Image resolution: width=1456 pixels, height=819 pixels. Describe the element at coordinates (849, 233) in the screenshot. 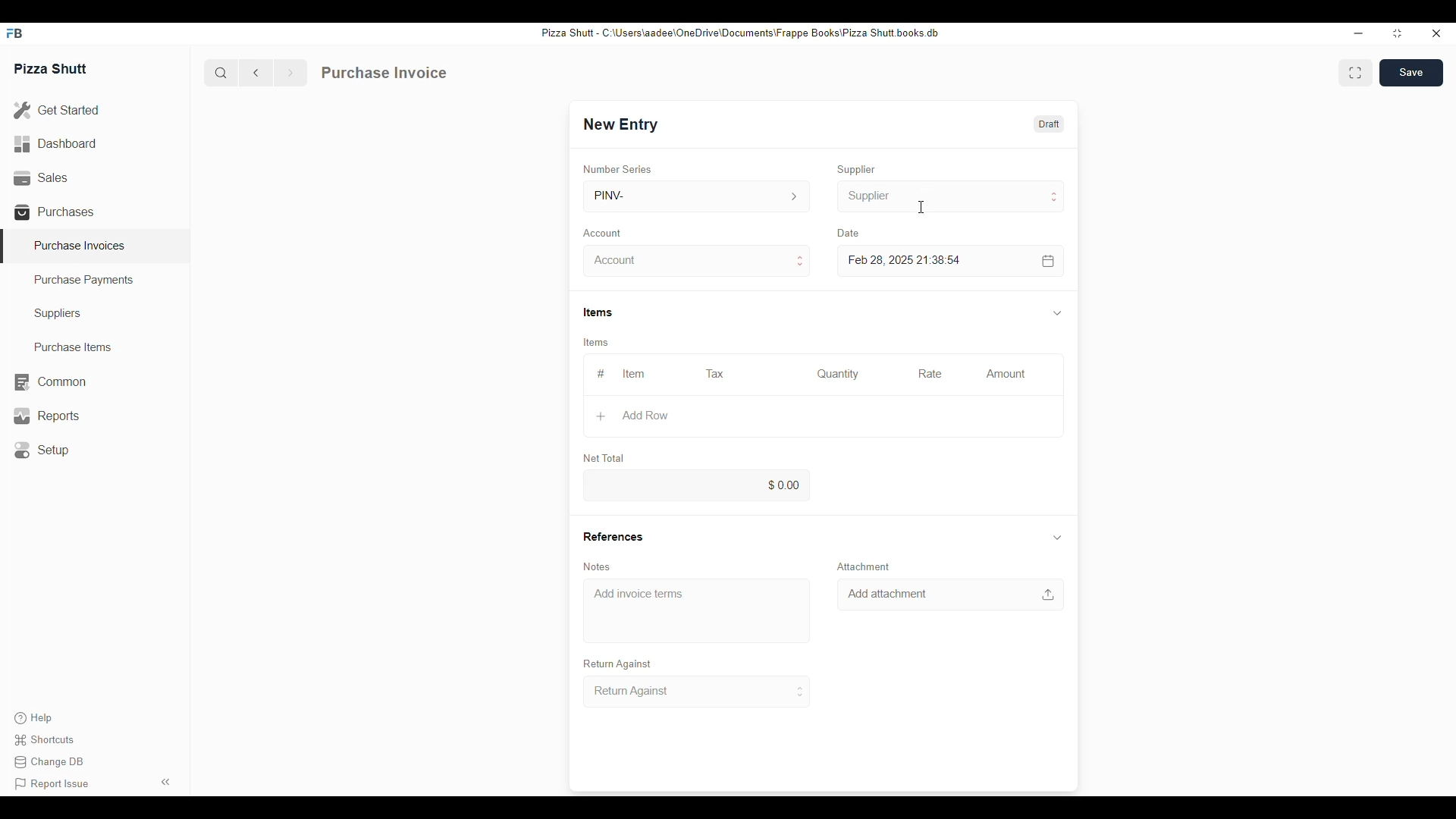

I see `Date` at that location.